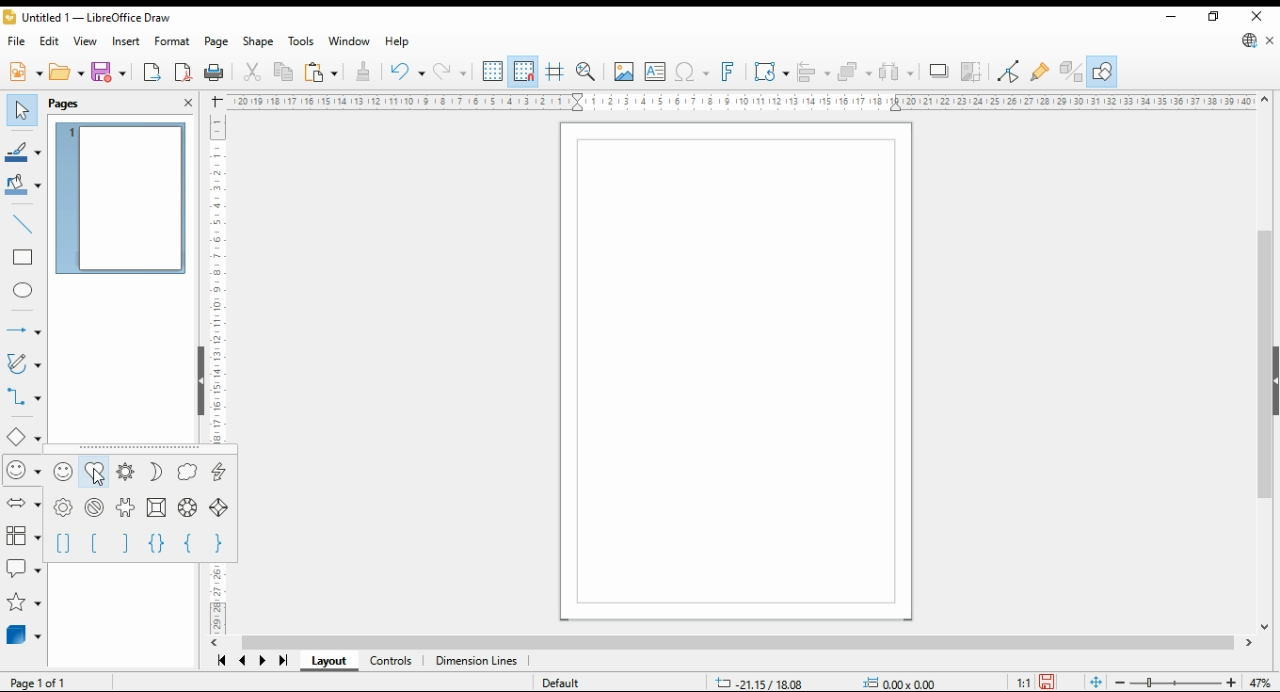 The height and width of the screenshot is (692, 1280). What do you see at coordinates (730, 72) in the screenshot?
I see `insert fontworks text` at bounding box center [730, 72].